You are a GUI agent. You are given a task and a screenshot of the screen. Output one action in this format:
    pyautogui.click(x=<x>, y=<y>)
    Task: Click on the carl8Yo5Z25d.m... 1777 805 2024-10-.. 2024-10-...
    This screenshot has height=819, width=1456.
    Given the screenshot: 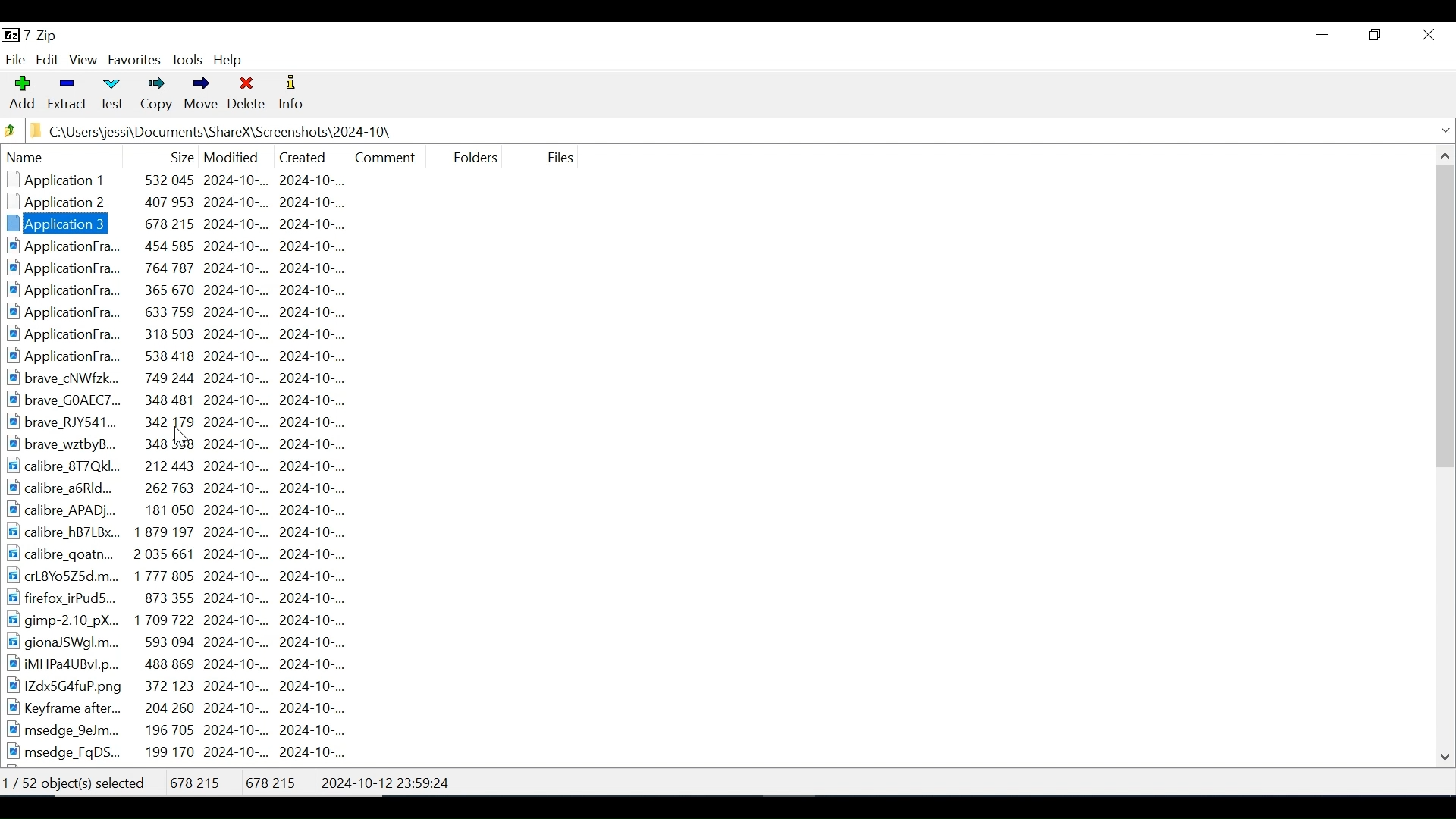 What is the action you would take?
    pyautogui.click(x=187, y=575)
    